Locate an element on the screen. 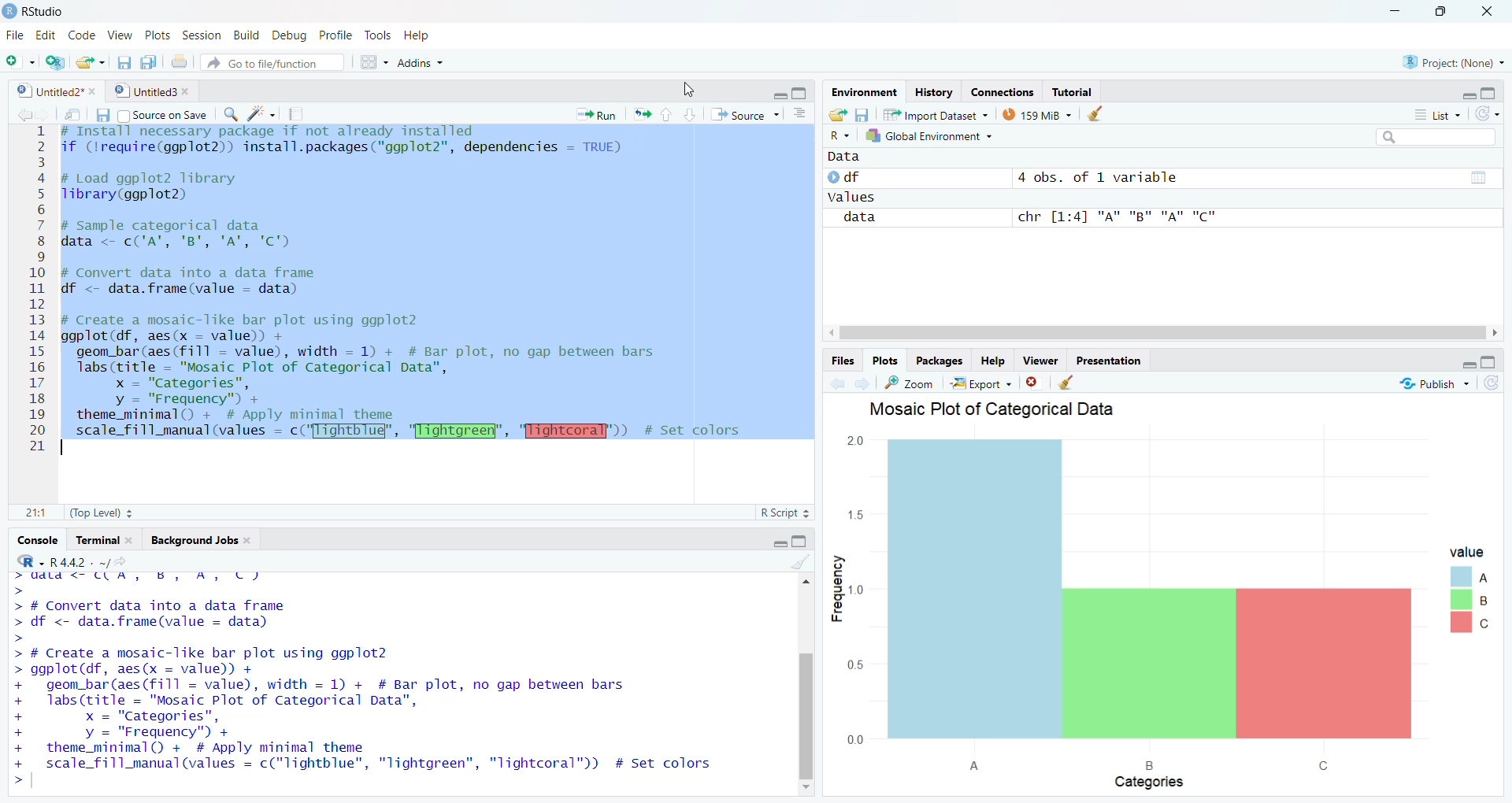 The image size is (1512, 803). R is located at coordinates (839, 136).